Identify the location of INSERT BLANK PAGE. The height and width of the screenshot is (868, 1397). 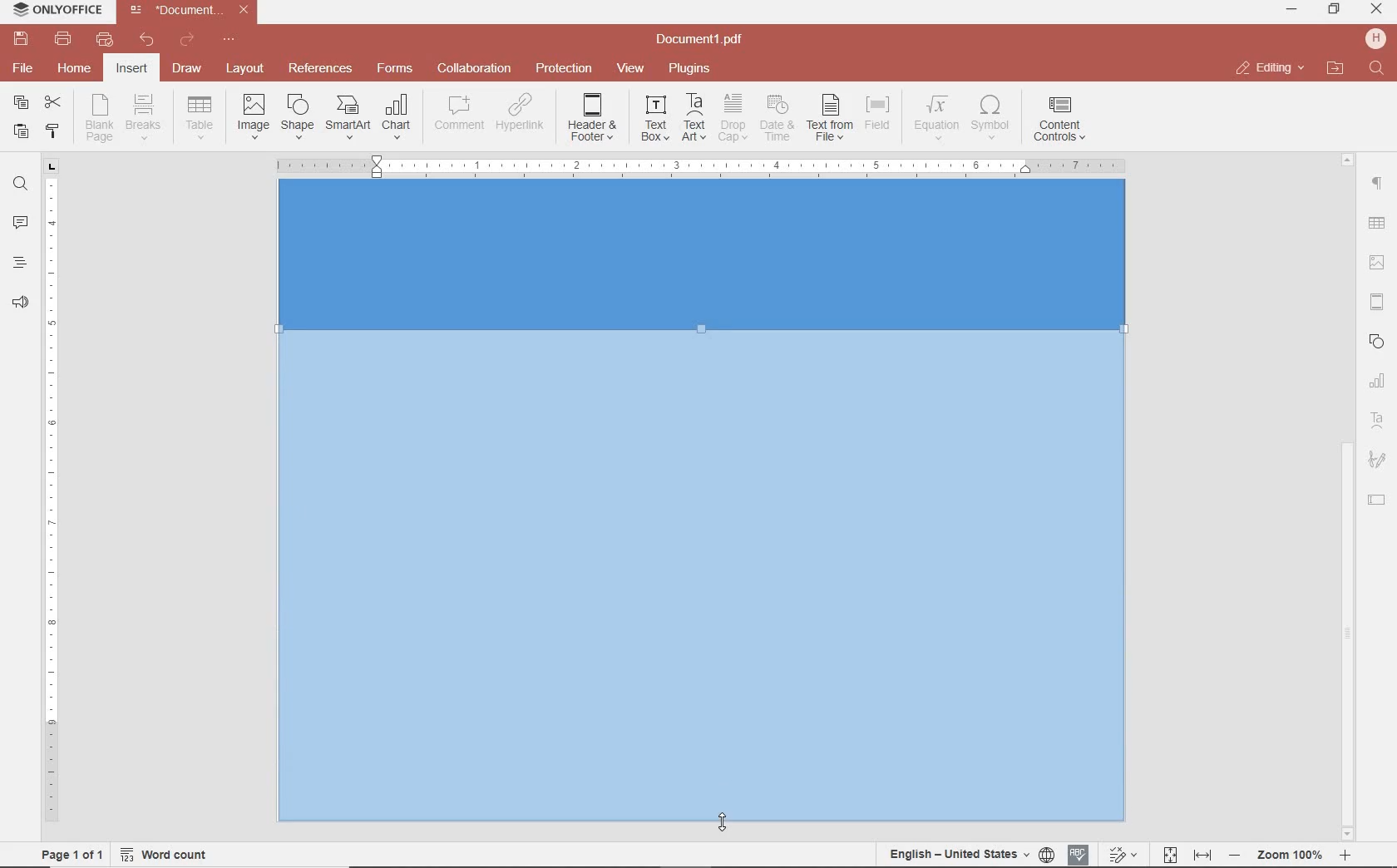
(99, 117).